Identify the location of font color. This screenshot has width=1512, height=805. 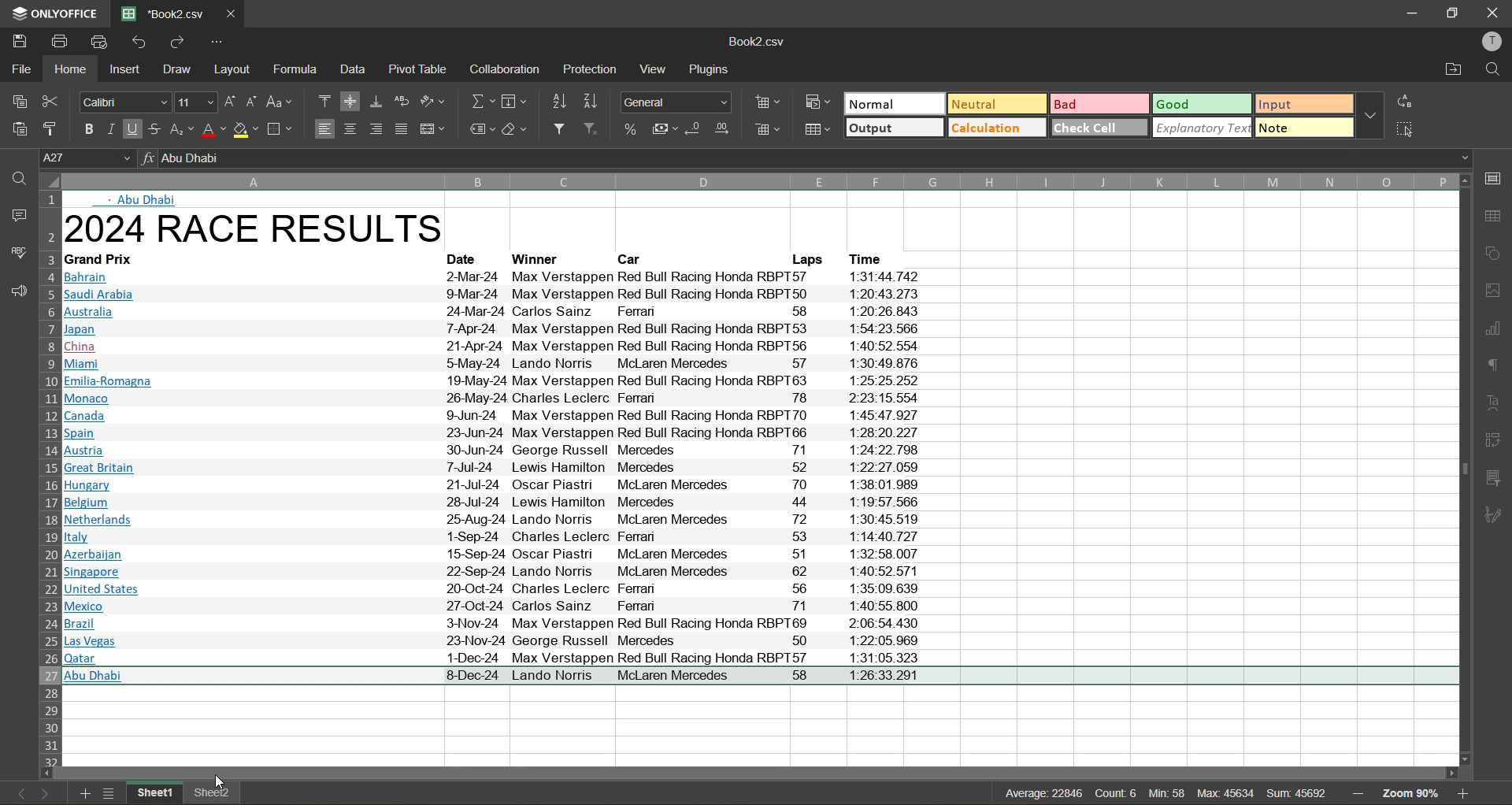
(212, 129).